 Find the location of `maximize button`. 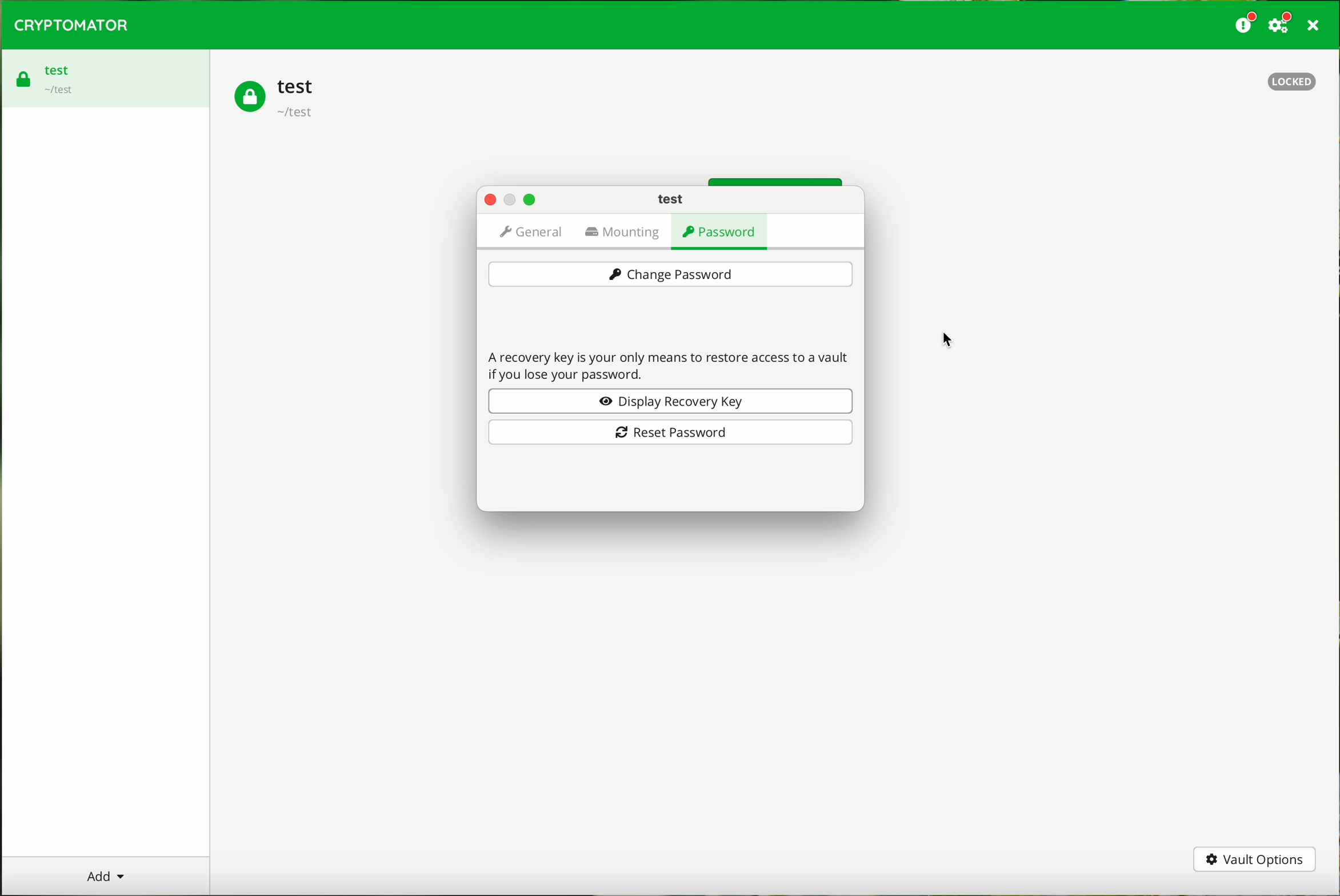

maximize button is located at coordinates (530, 201).